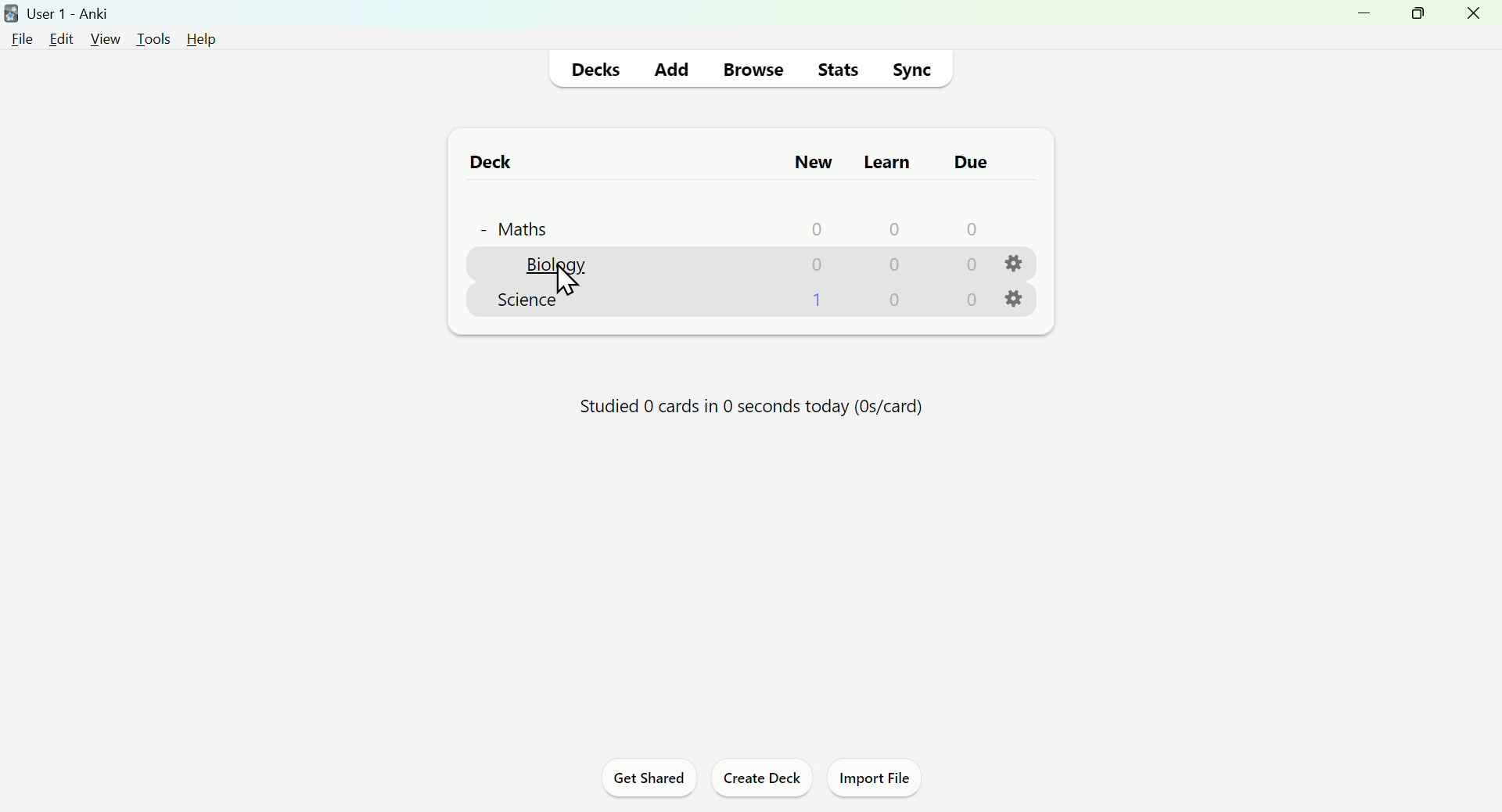 Image resolution: width=1502 pixels, height=812 pixels. What do you see at coordinates (888, 231) in the screenshot?
I see `0` at bounding box center [888, 231].